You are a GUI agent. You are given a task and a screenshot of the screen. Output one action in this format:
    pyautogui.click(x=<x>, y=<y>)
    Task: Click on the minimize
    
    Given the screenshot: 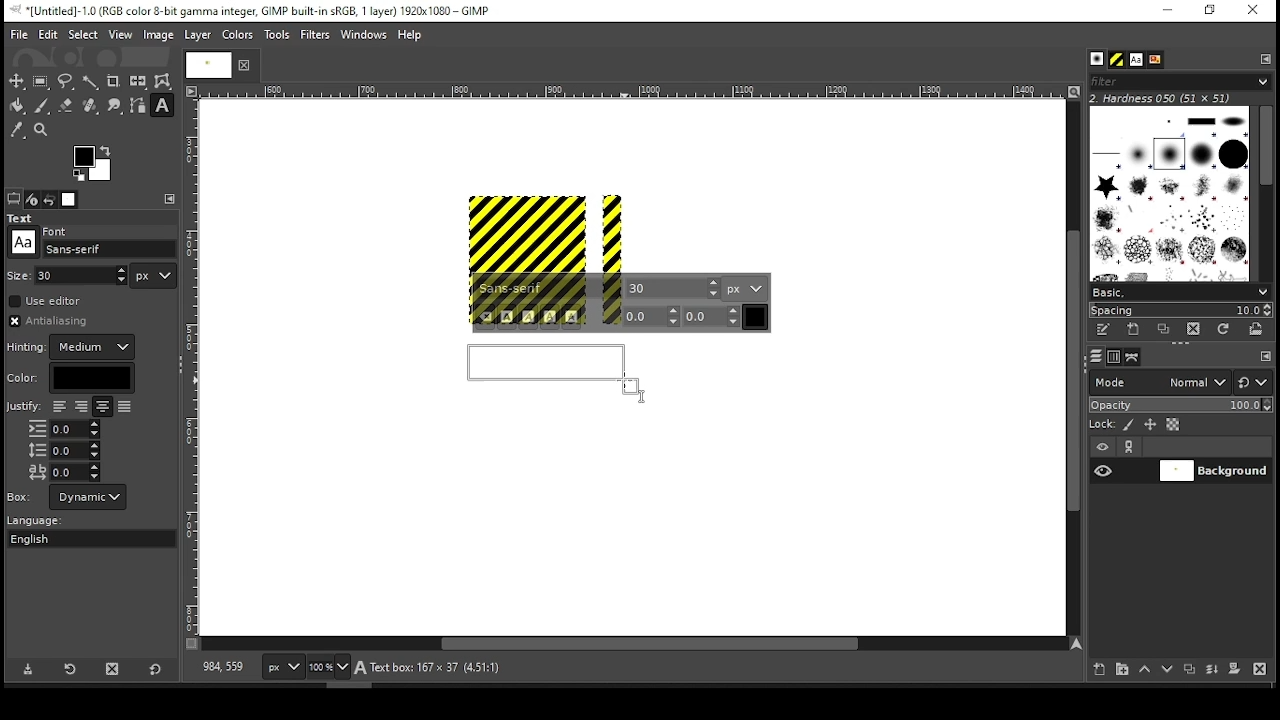 What is the action you would take?
    pyautogui.click(x=1166, y=11)
    